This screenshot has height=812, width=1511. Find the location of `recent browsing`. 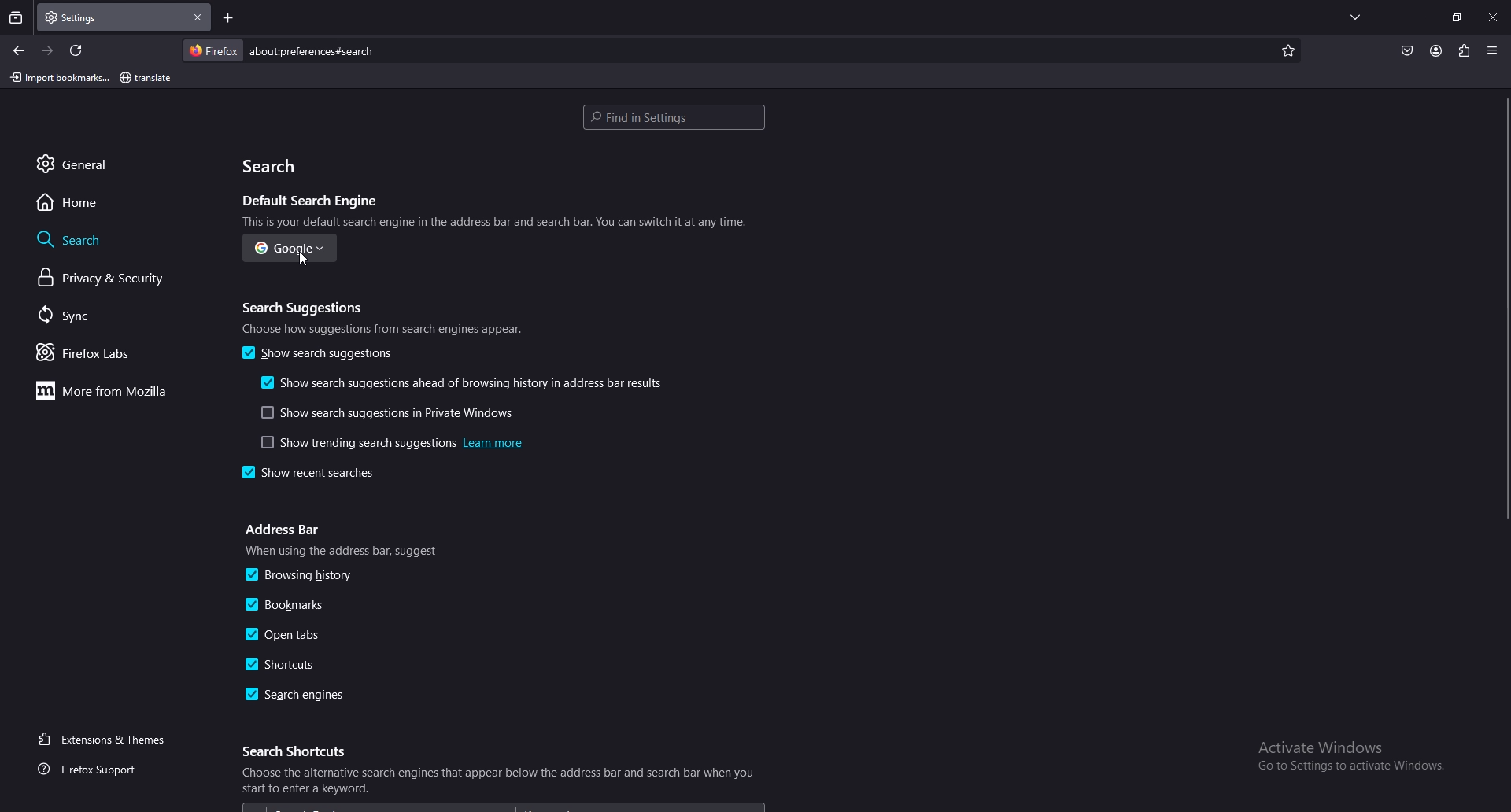

recent browsing is located at coordinates (16, 17).